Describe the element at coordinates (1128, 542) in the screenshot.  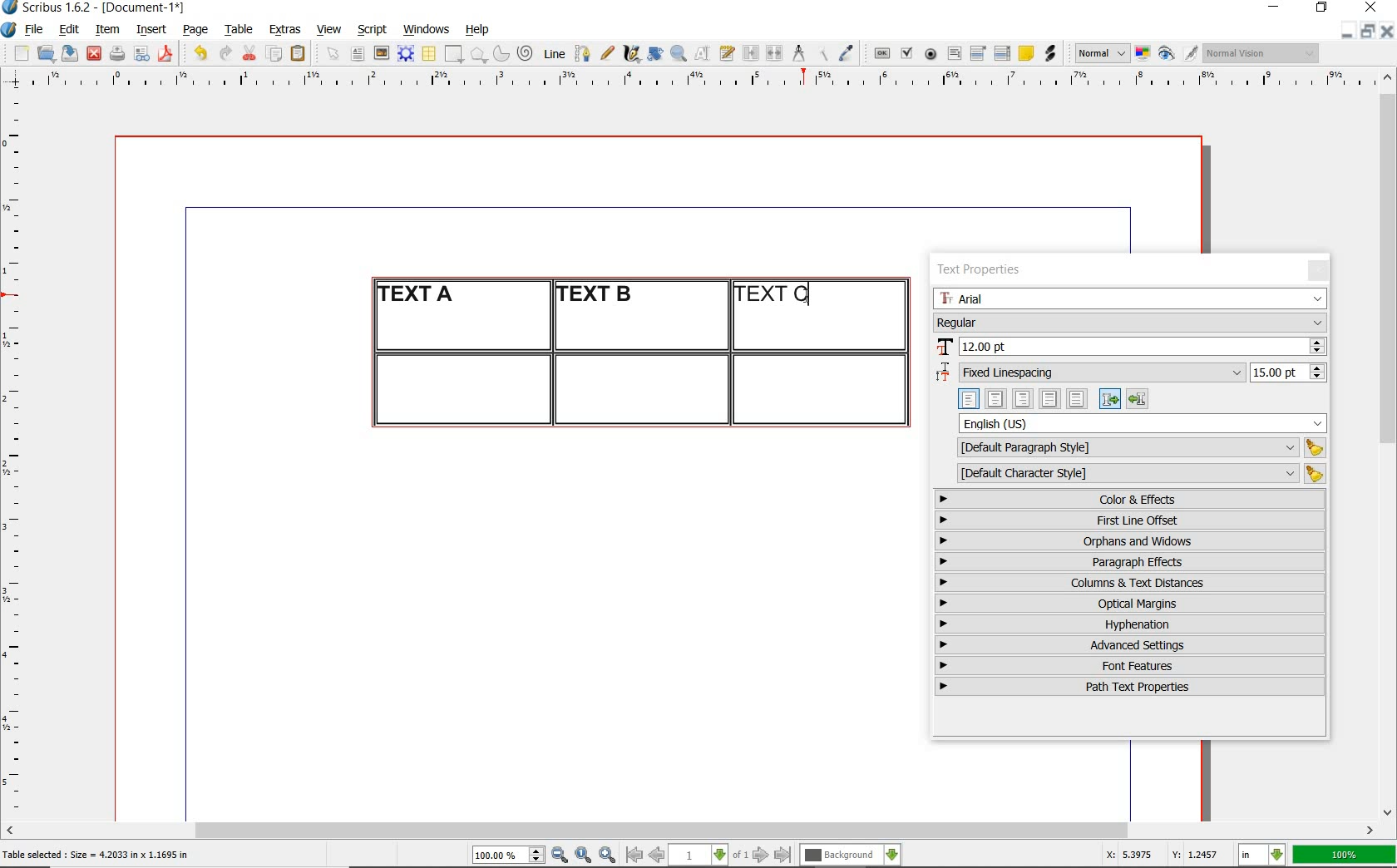
I see `orphans & windows` at that location.